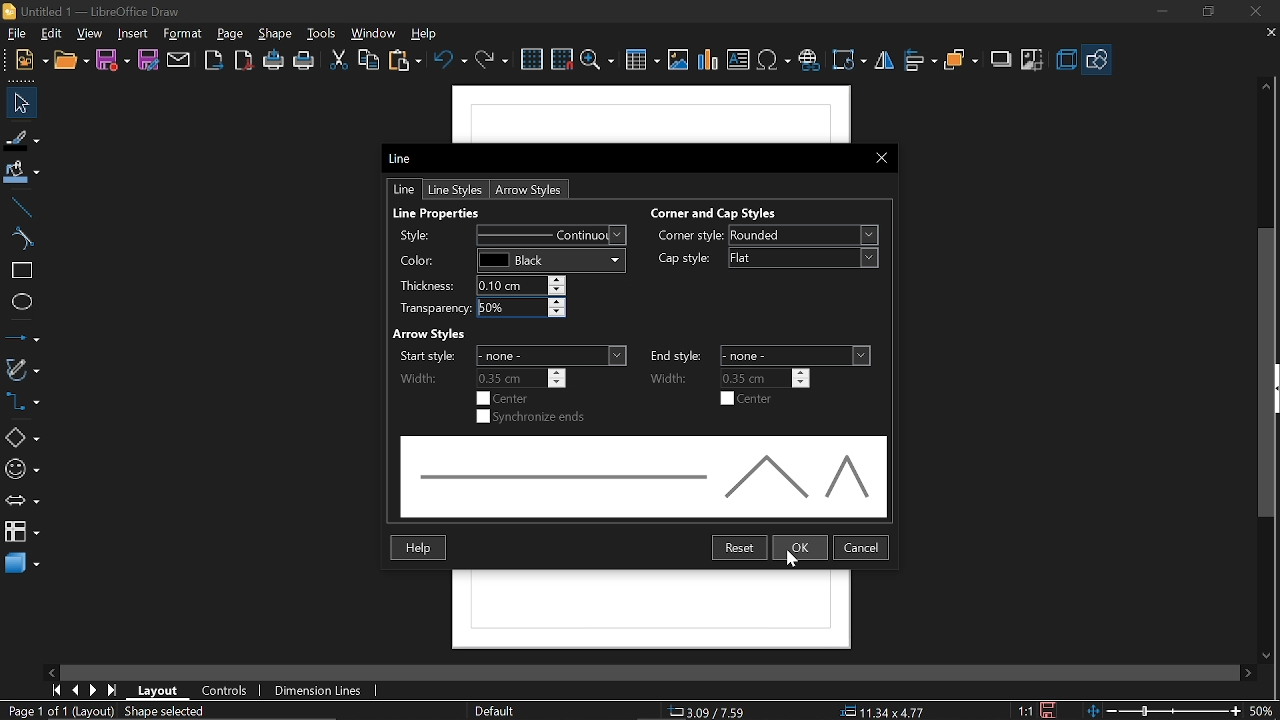 The width and height of the screenshot is (1280, 720). What do you see at coordinates (1033, 59) in the screenshot?
I see `crop` at bounding box center [1033, 59].